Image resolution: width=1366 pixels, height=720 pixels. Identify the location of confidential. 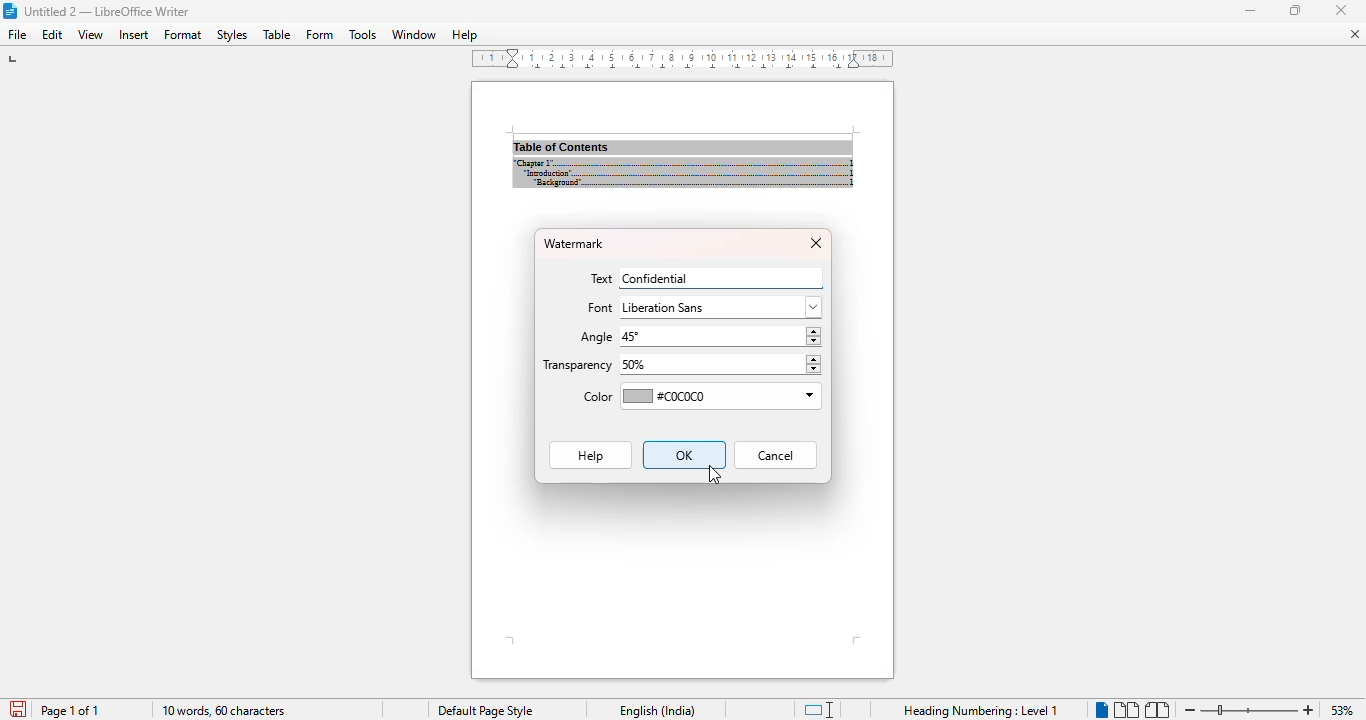
(657, 278).